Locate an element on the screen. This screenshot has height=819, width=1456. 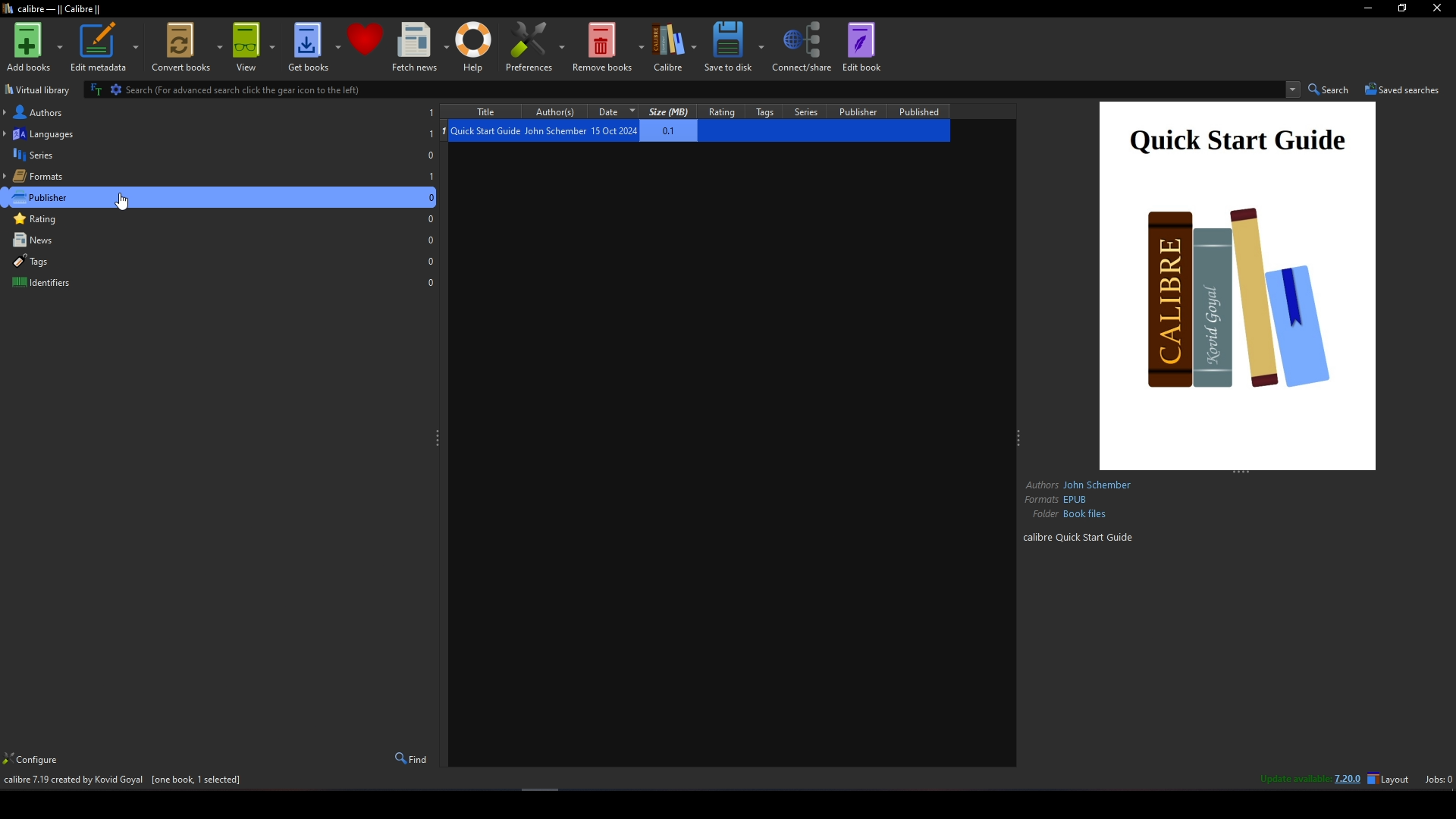
Title is located at coordinates (489, 113).